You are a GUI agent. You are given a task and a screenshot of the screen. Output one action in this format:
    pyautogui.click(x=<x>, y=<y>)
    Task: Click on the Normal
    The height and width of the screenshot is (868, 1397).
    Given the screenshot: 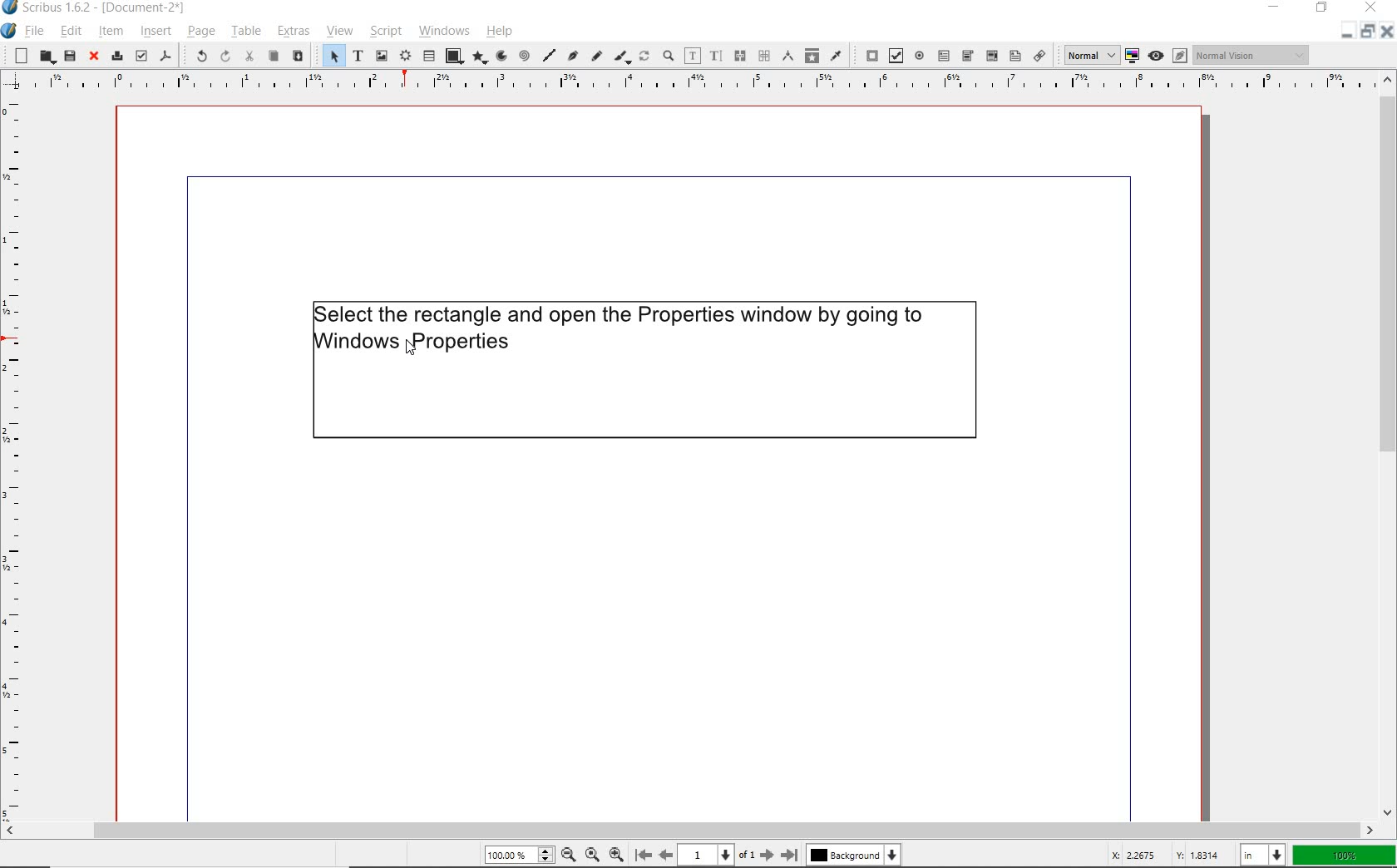 What is the action you would take?
    pyautogui.click(x=1086, y=54)
    